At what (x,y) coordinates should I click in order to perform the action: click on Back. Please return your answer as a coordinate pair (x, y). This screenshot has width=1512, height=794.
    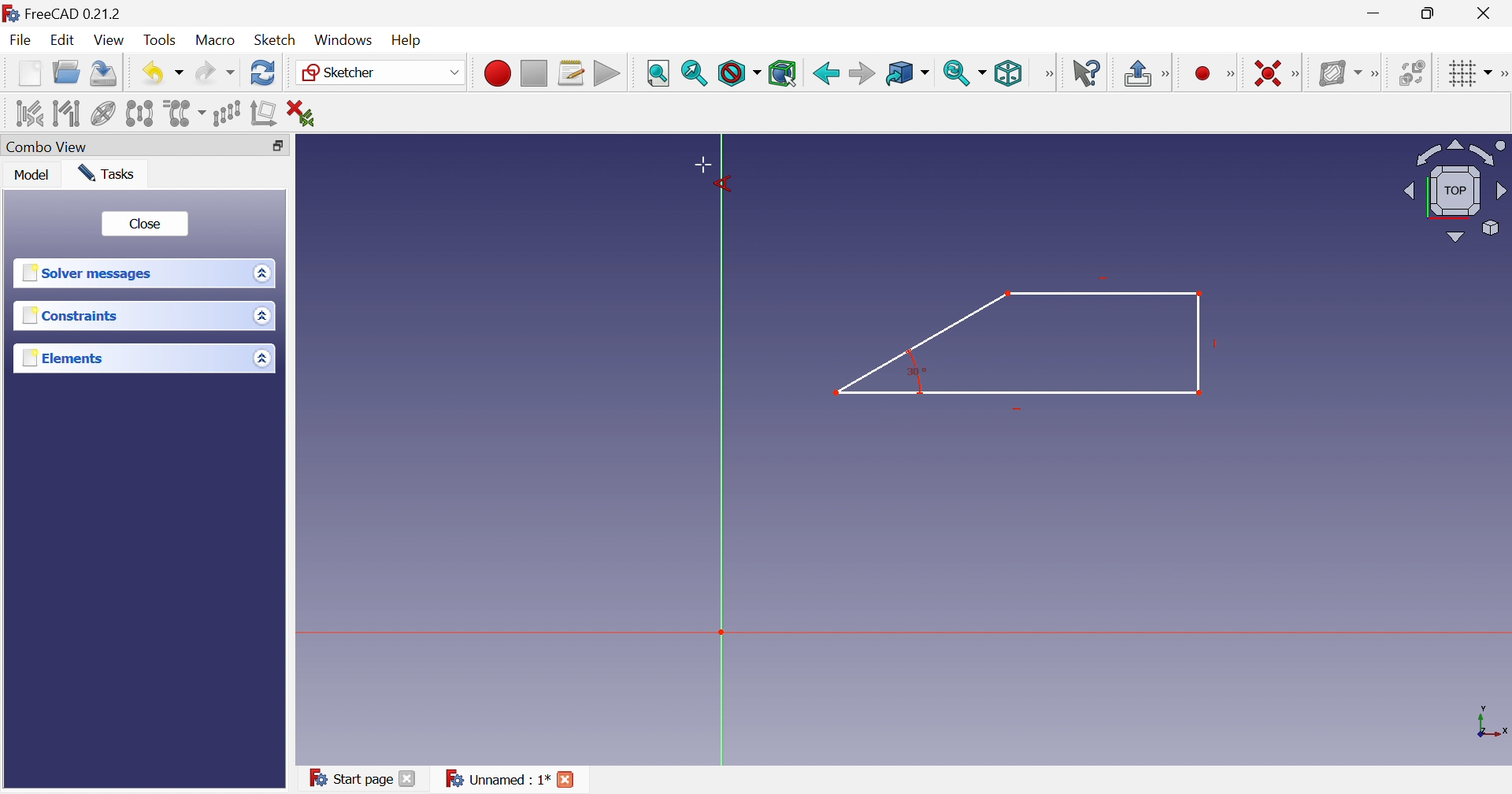
    Looking at the image, I should click on (825, 72).